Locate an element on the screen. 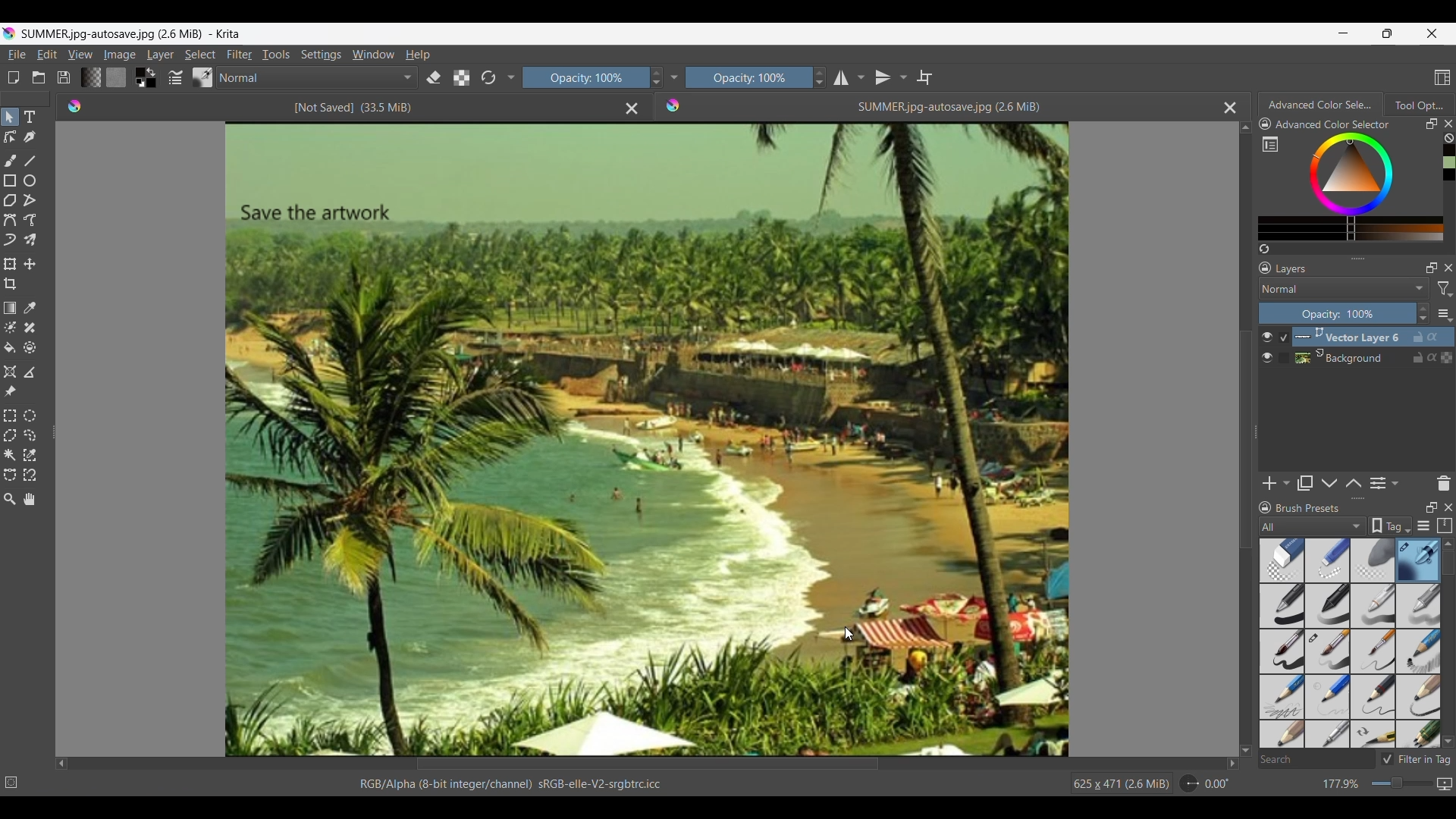 The width and height of the screenshot is (1456, 819). Set background and foreground color to black and white respectively is located at coordinates (138, 83).